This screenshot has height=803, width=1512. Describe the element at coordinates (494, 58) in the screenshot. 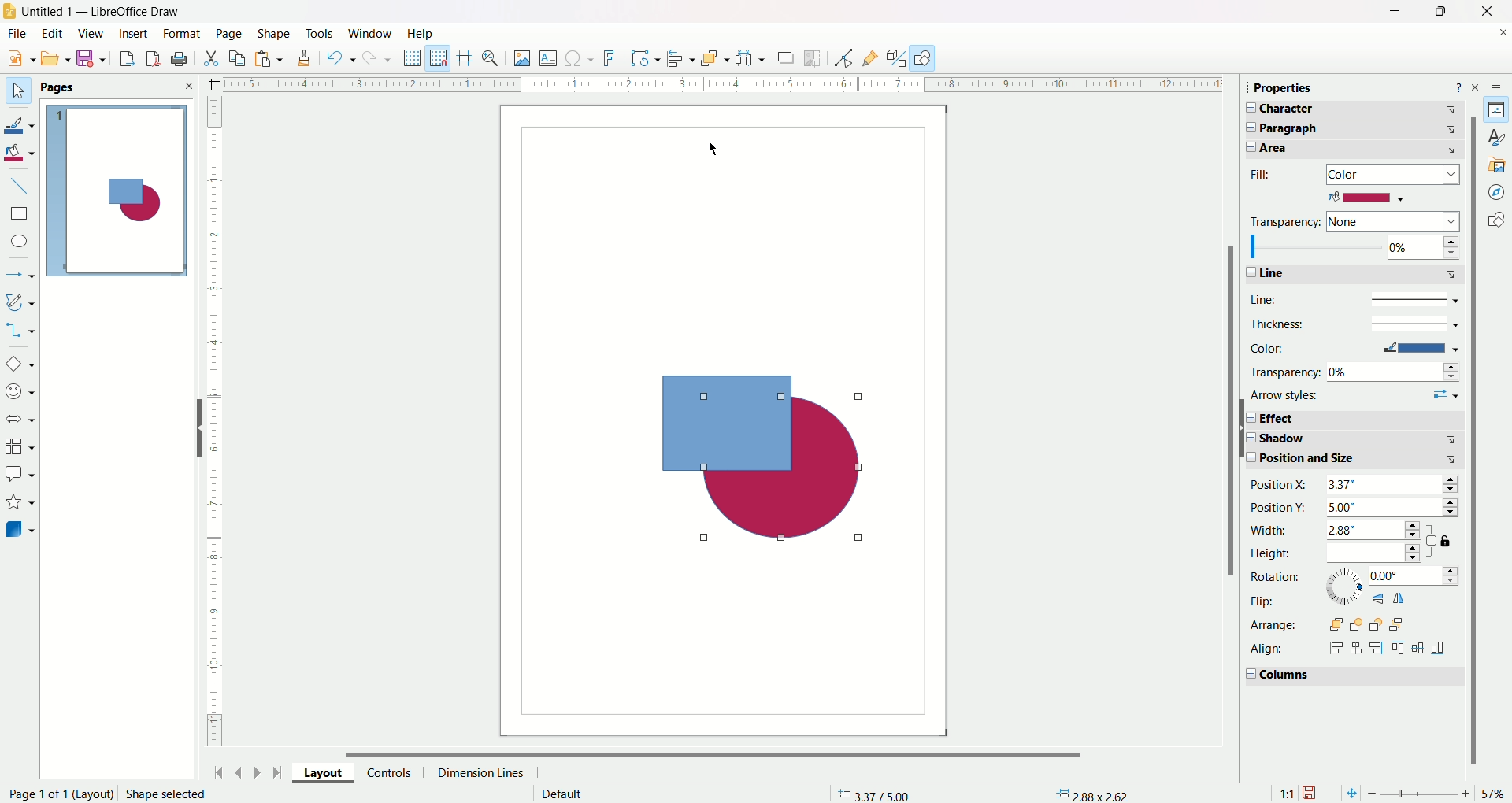

I see `pan and zoom` at that location.